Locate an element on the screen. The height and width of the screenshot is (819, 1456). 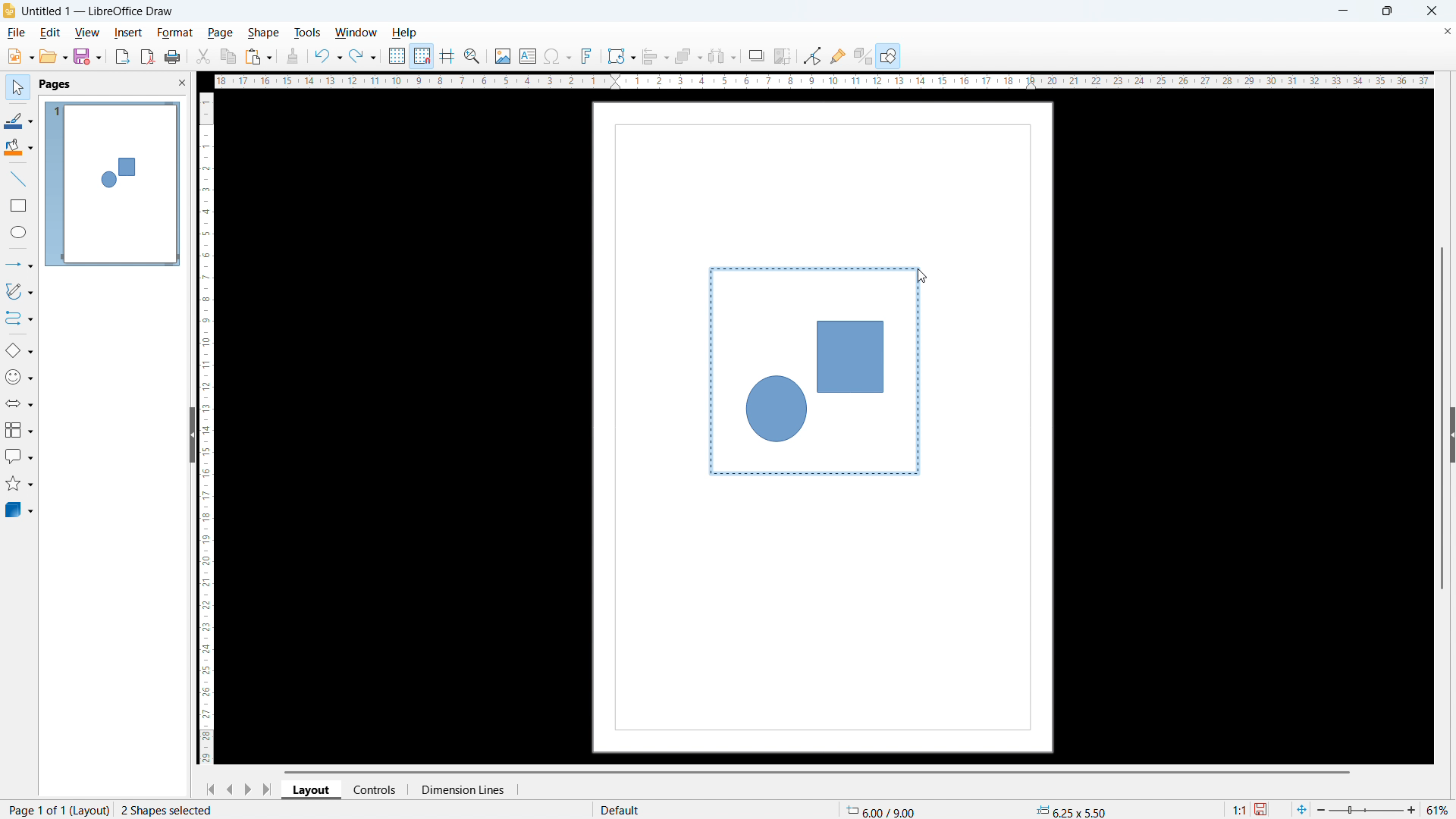
logo is located at coordinates (9, 11).